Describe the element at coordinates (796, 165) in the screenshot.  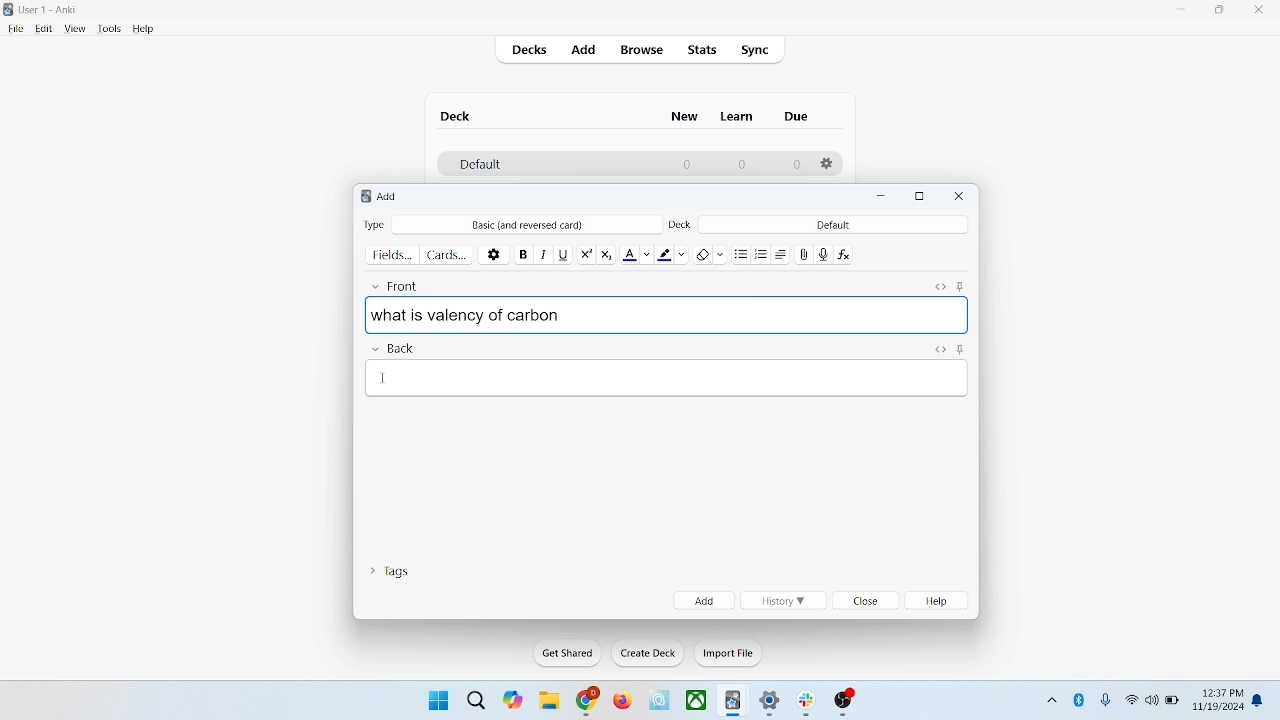
I see `0` at that location.